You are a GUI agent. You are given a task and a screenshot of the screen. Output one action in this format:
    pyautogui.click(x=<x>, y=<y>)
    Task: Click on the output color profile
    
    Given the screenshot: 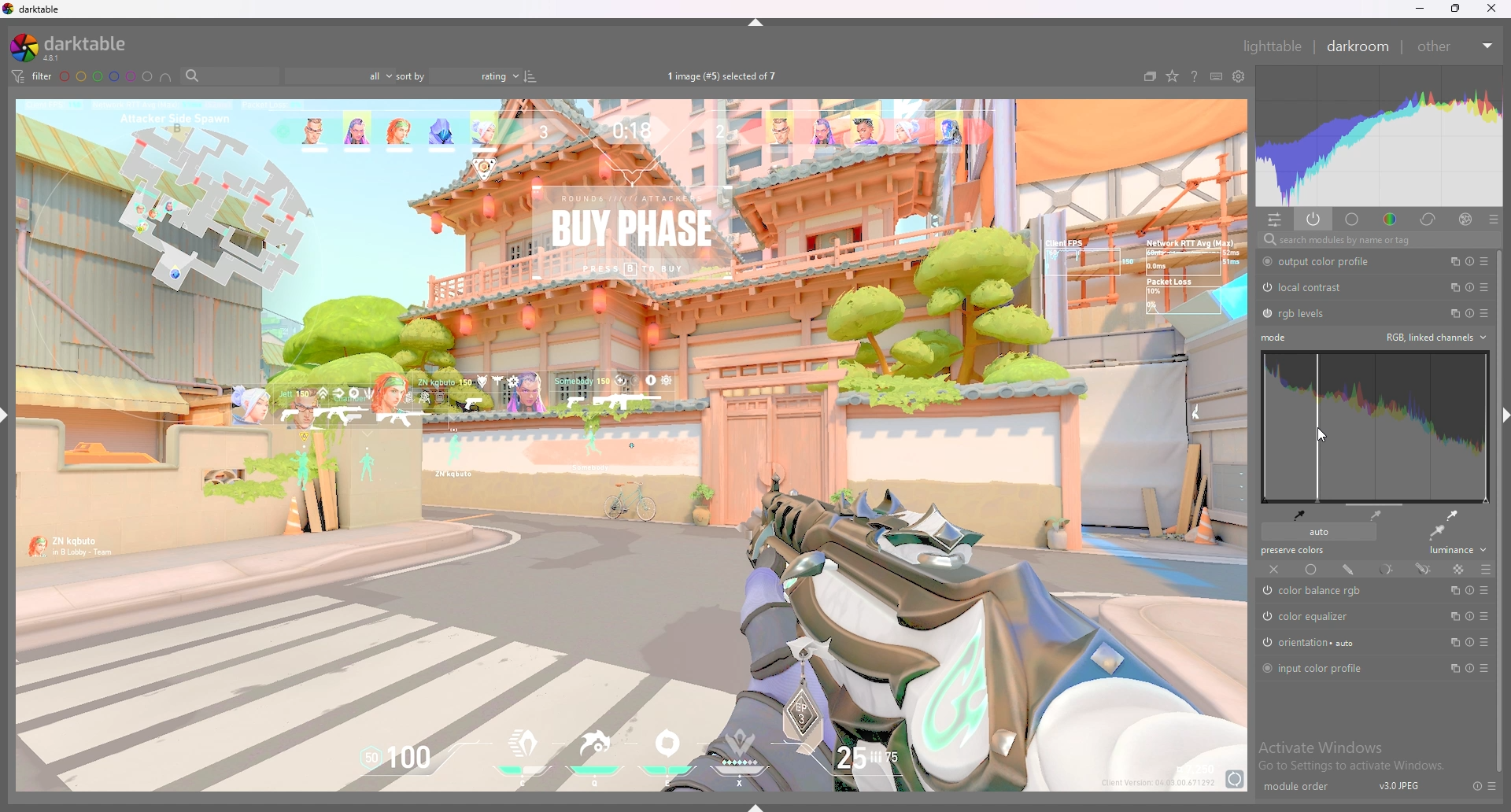 What is the action you would take?
    pyautogui.click(x=1329, y=261)
    